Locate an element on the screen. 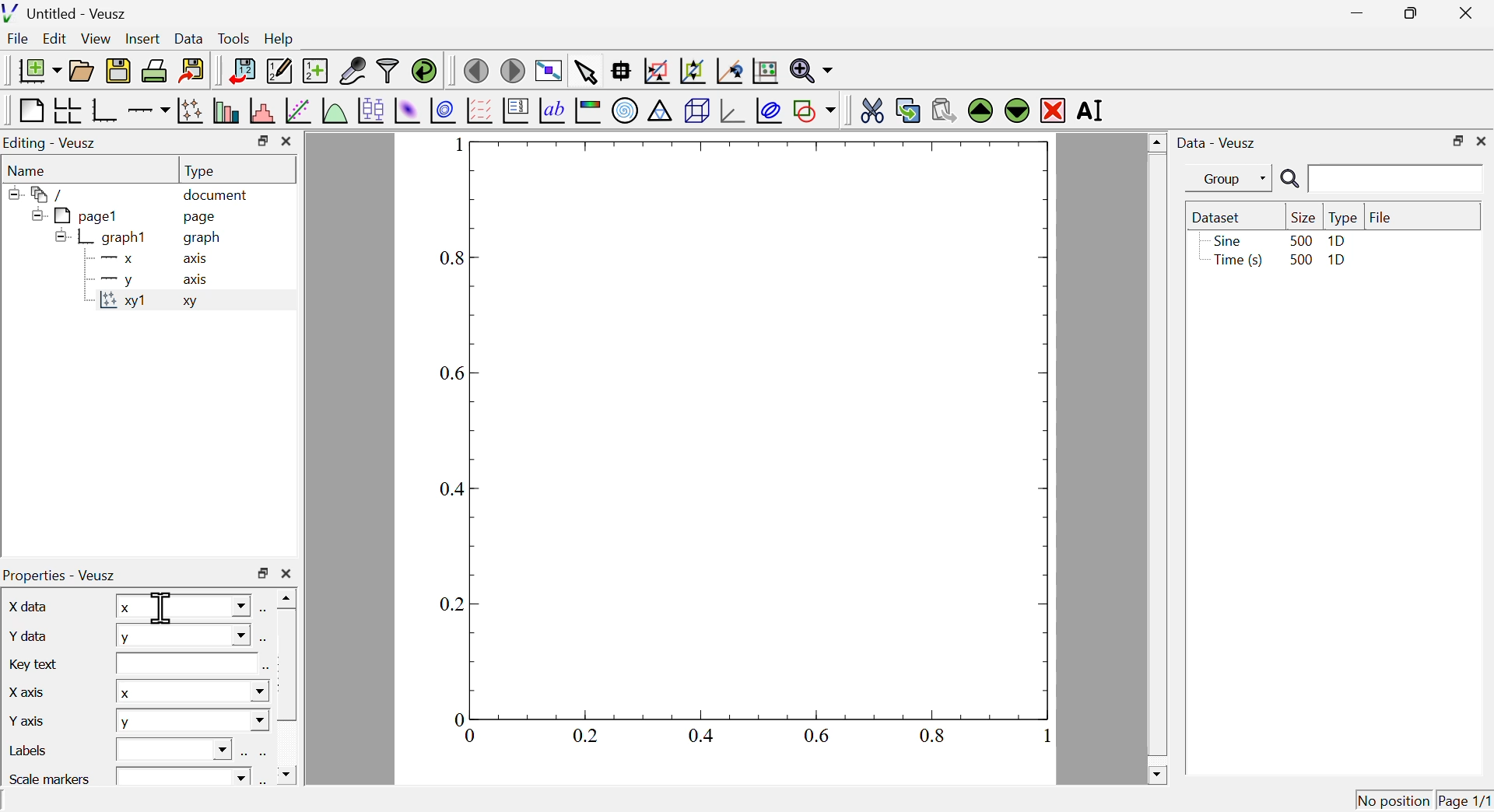  500 is located at coordinates (1300, 240).